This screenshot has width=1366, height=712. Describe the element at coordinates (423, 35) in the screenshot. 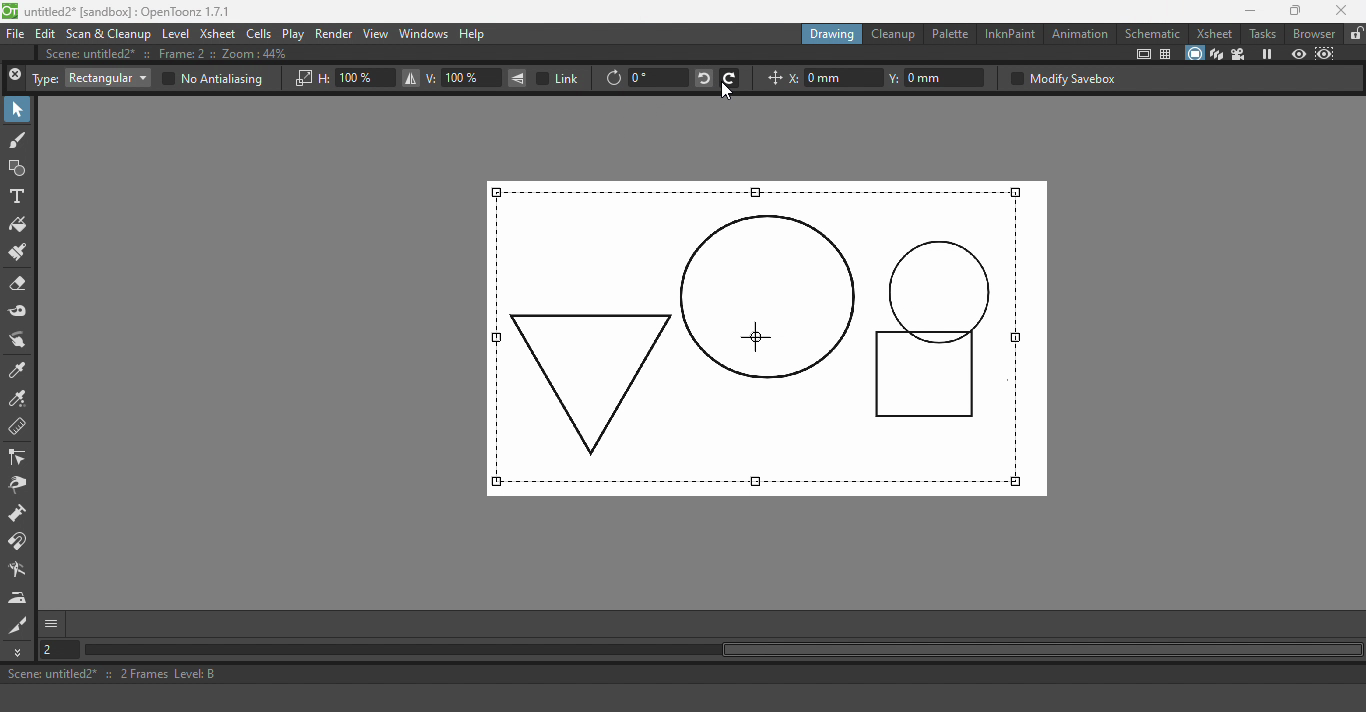

I see `Windows` at that location.